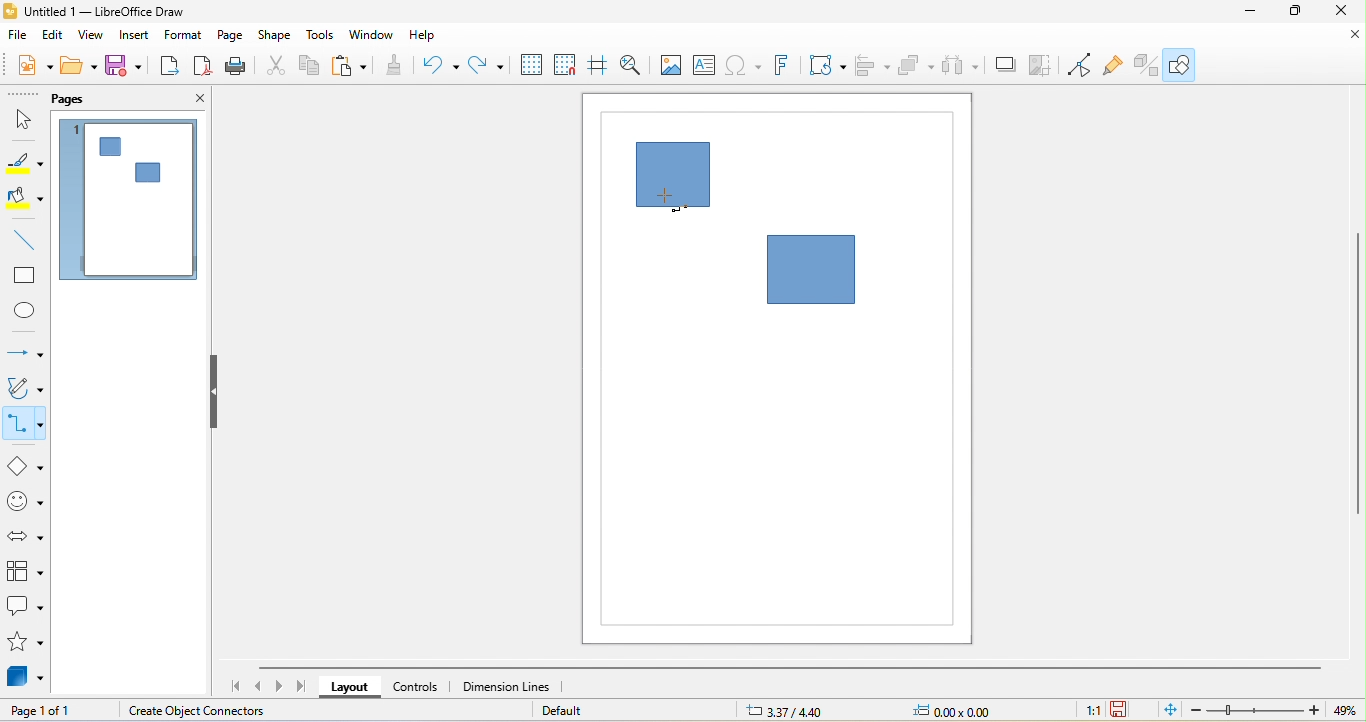 The image size is (1366, 722). Describe the element at coordinates (275, 67) in the screenshot. I see `cut` at that location.